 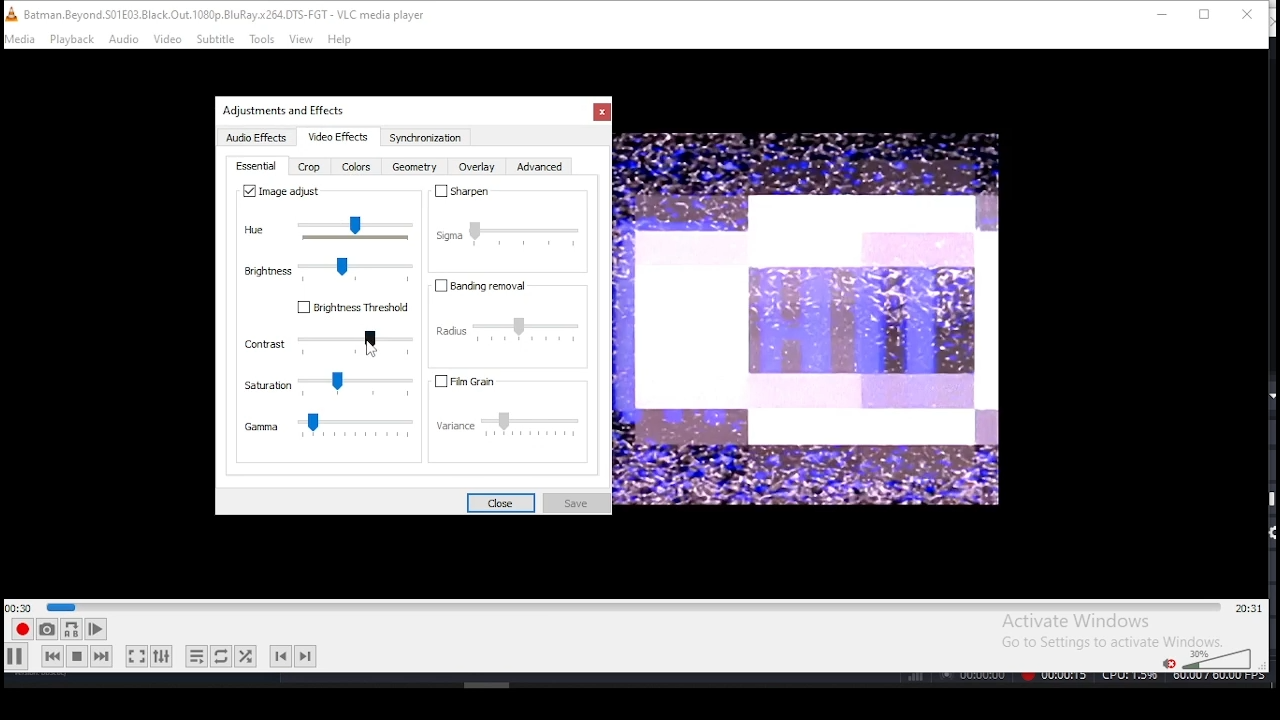 I want to click on essential, so click(x=258, y=167).